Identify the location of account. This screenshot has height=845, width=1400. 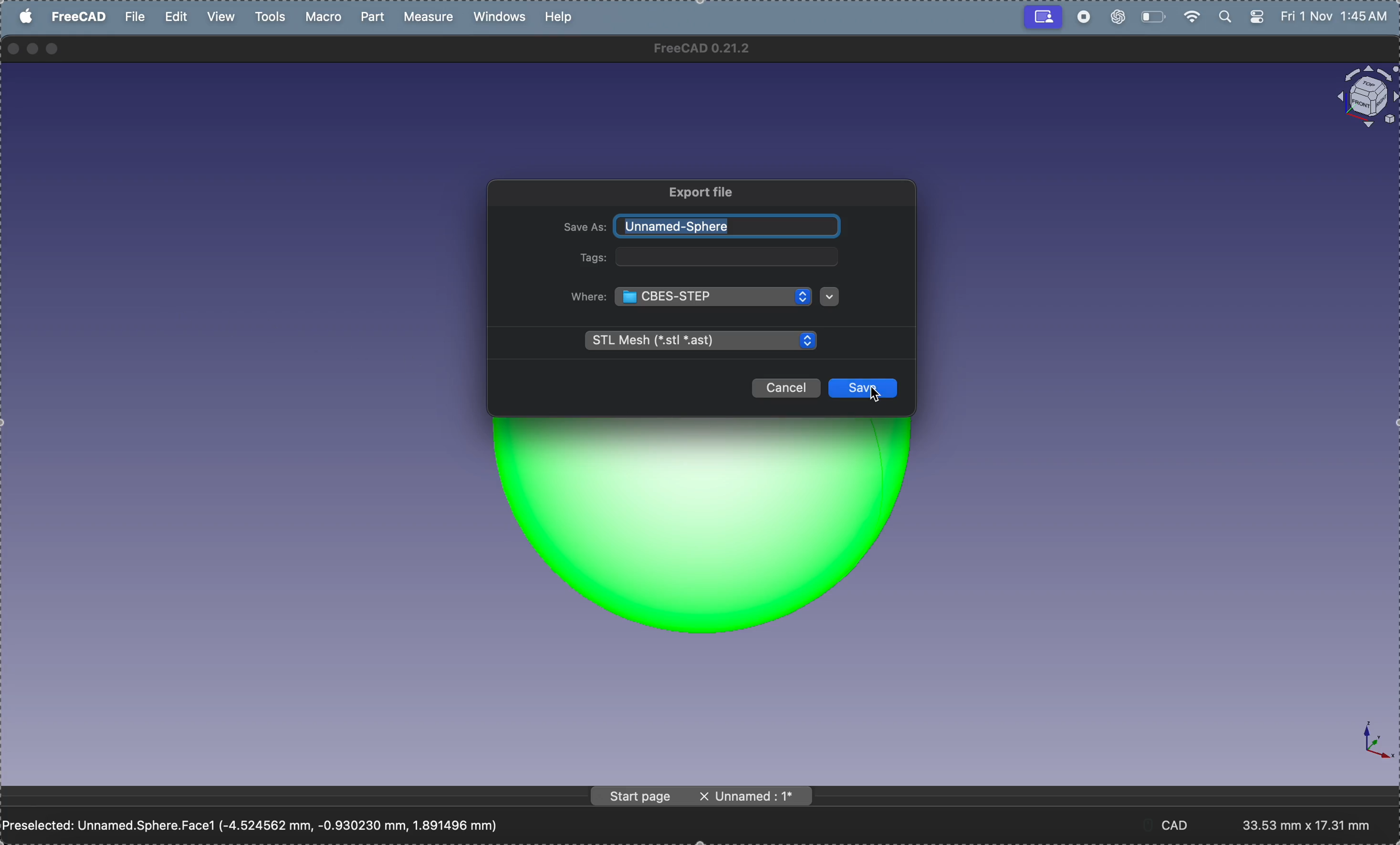
(1040, 18).